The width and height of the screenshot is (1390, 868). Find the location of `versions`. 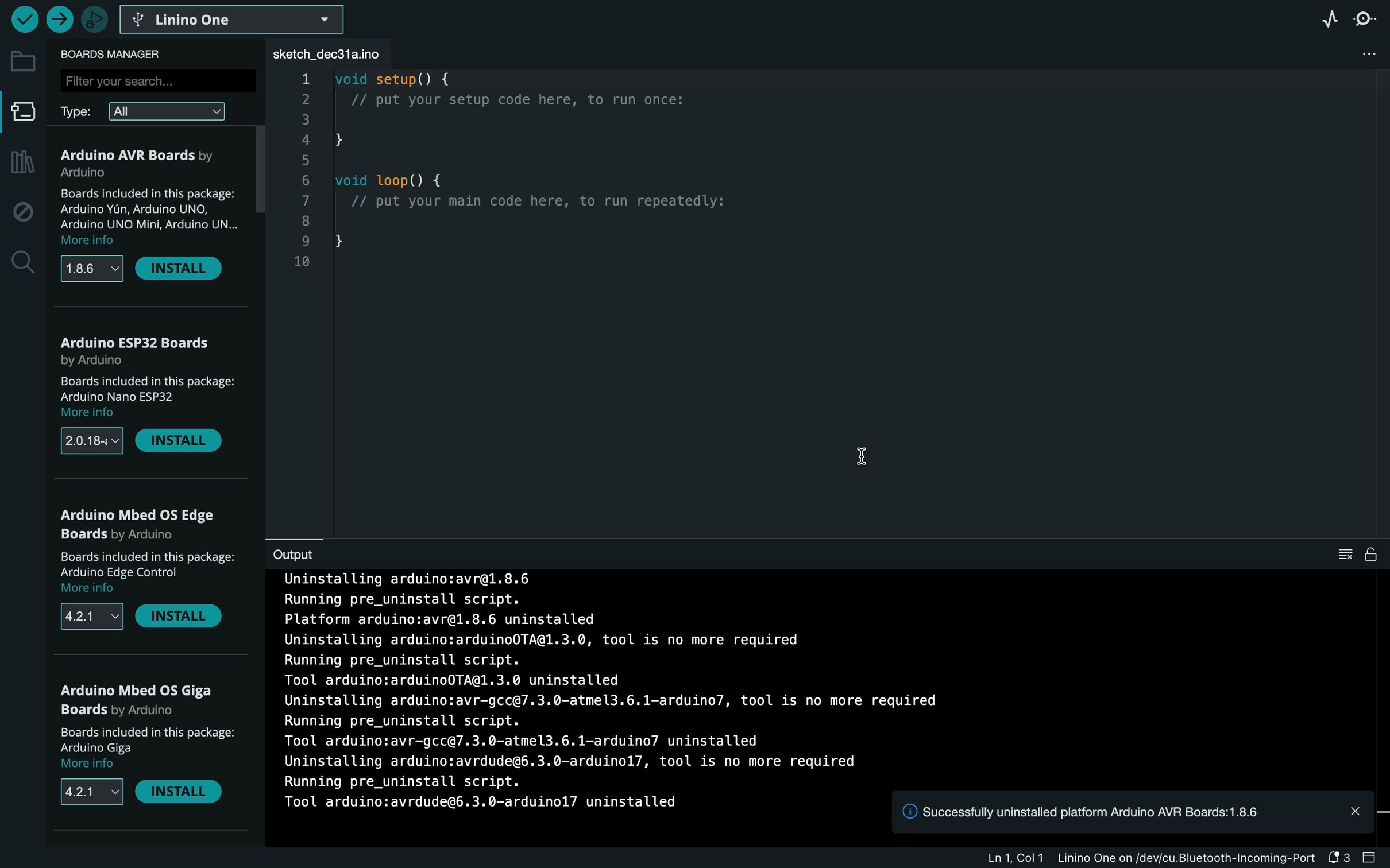

versions is located at coordinates (93, 794).